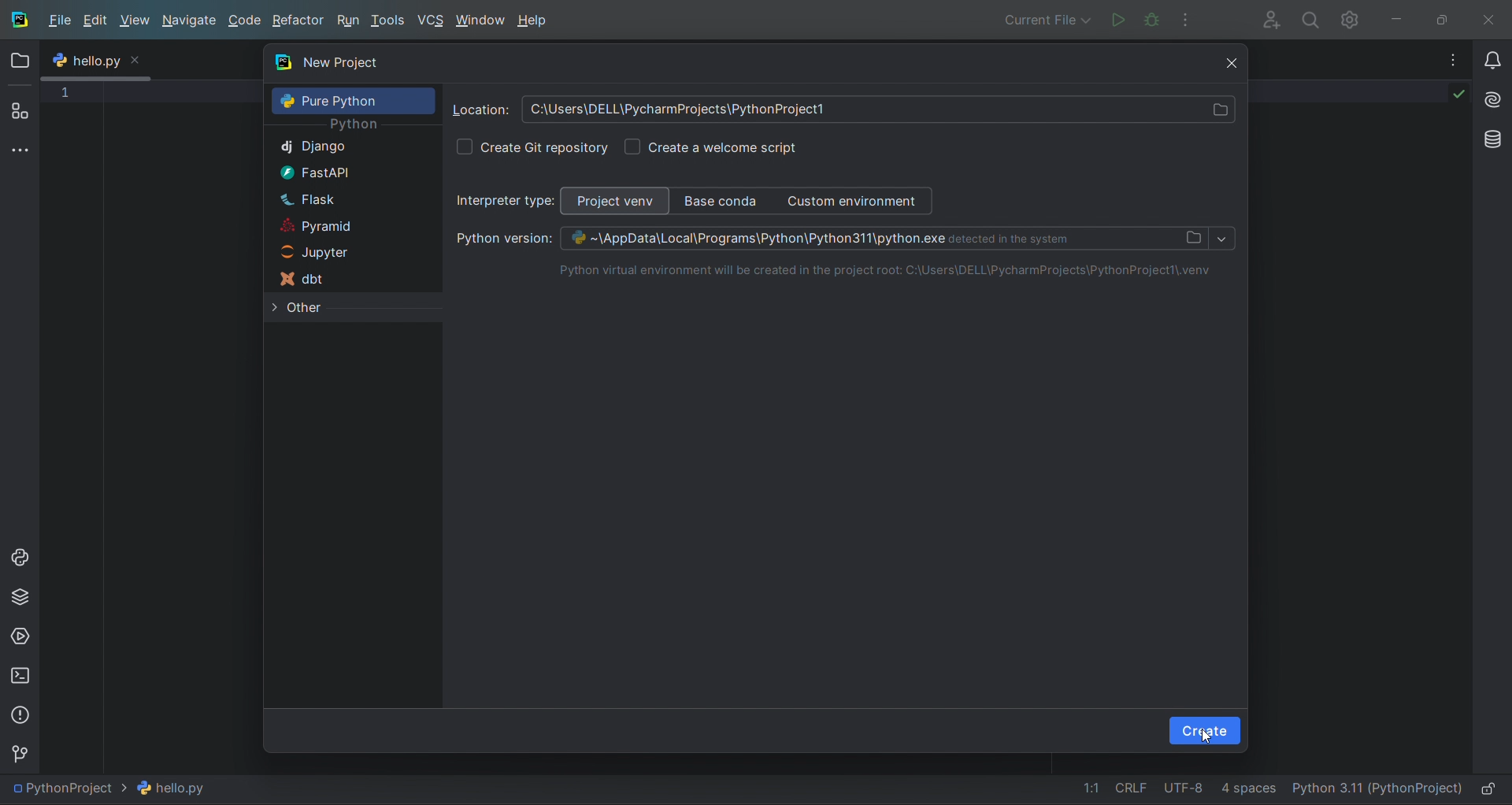  I want to click on database, so click(1489, 138).